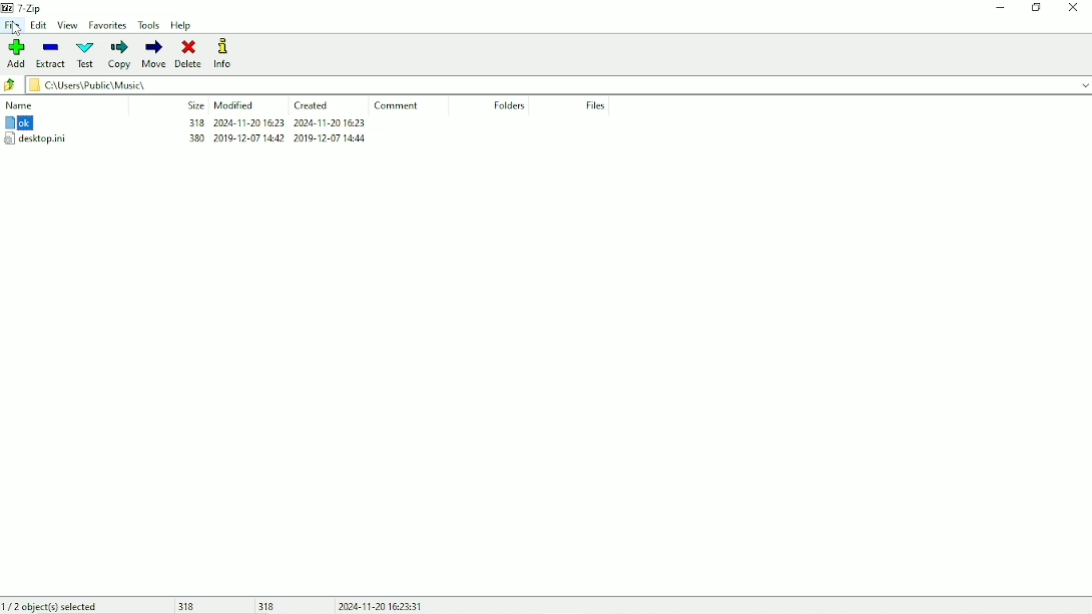  Describe the element at coordinates (186, 124) in the screenshot. I see `` at that location.